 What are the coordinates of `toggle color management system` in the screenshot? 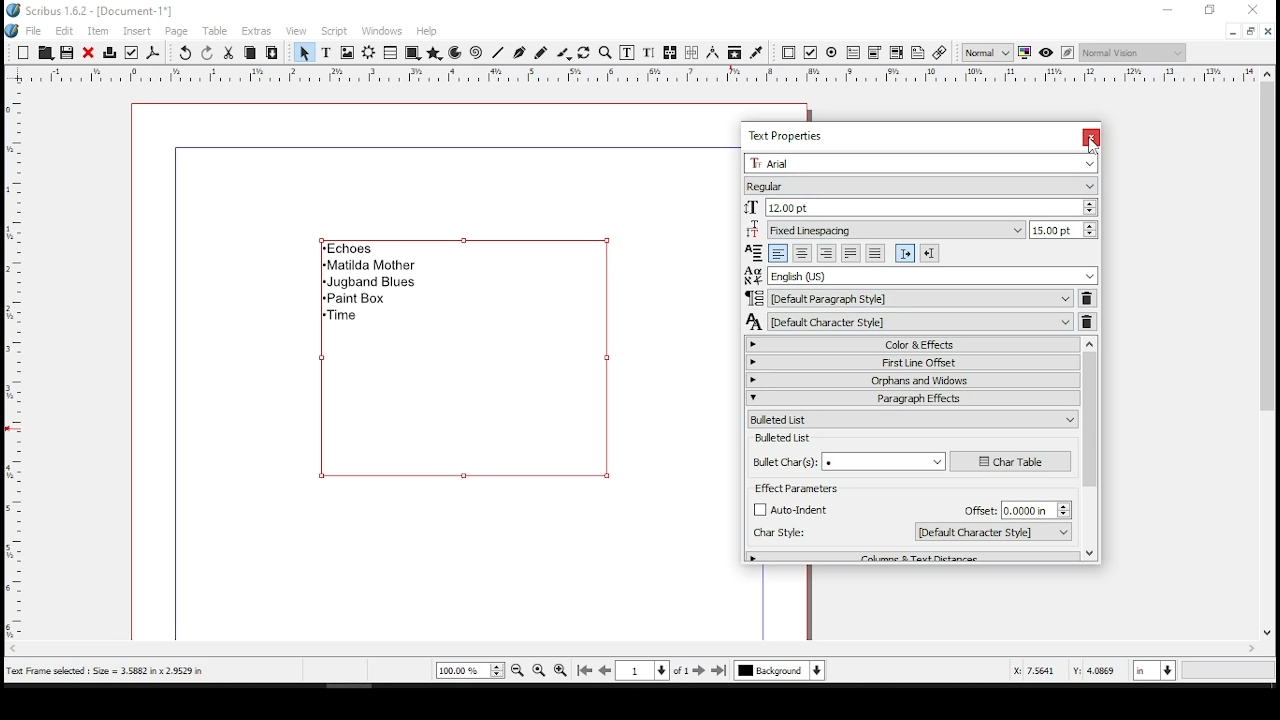 It's located at (1024, 54).